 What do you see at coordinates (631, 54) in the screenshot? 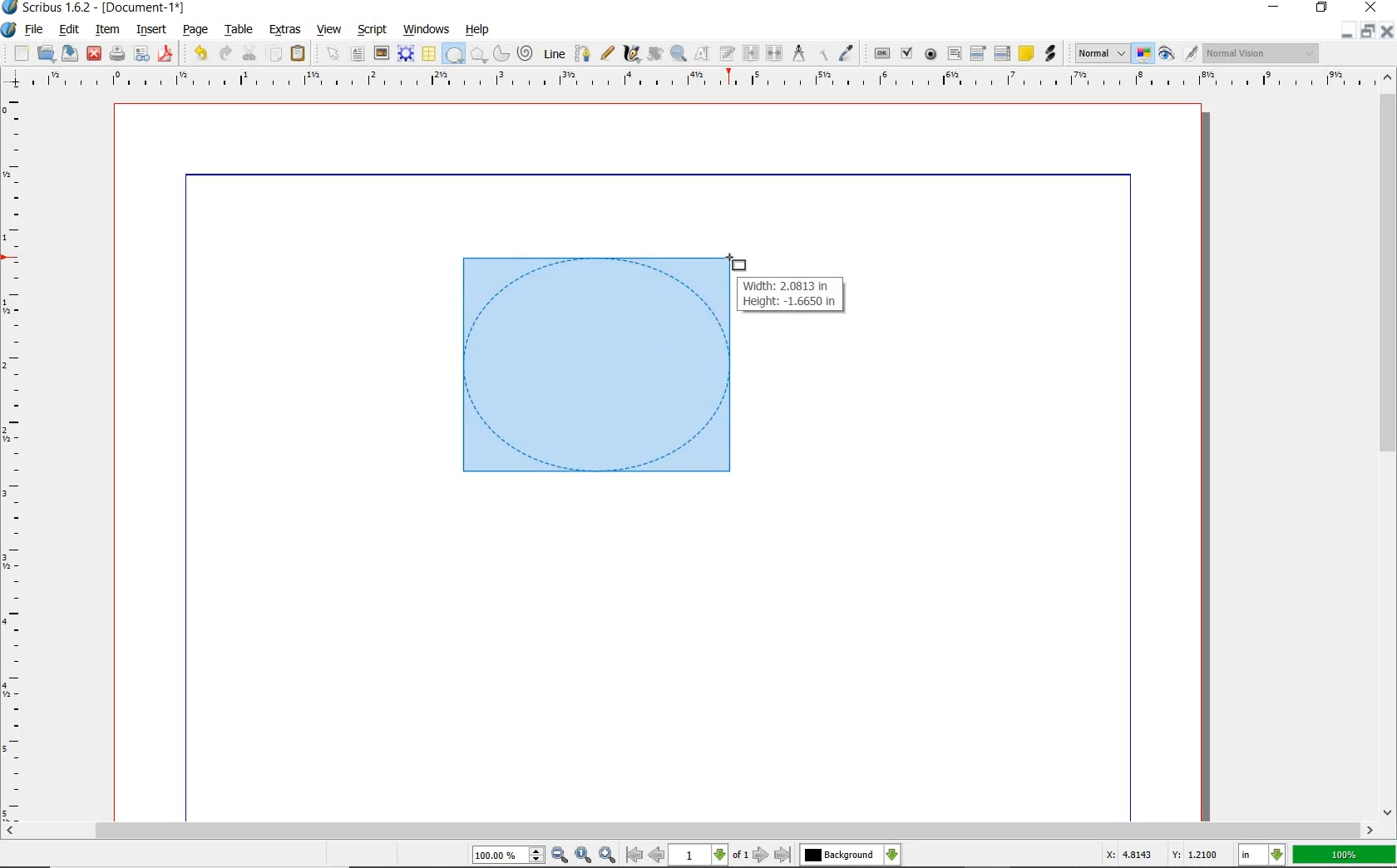
I see `CALLIGRAPHIC LINE` at bounding box center [631, 54].